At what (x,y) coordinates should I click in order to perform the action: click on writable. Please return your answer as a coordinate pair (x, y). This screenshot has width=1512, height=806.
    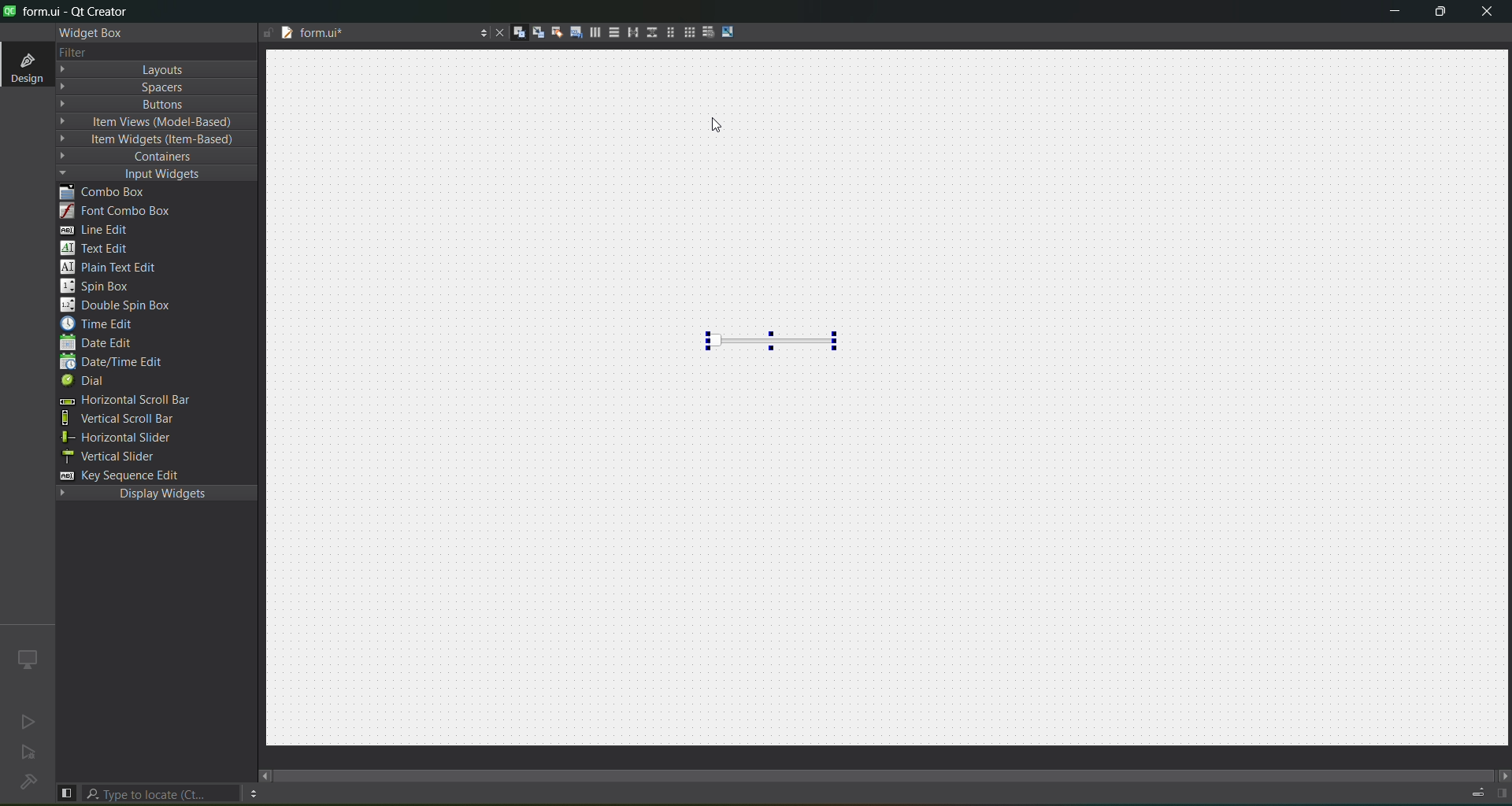
    Looking at the image, I should click on (265, 33).